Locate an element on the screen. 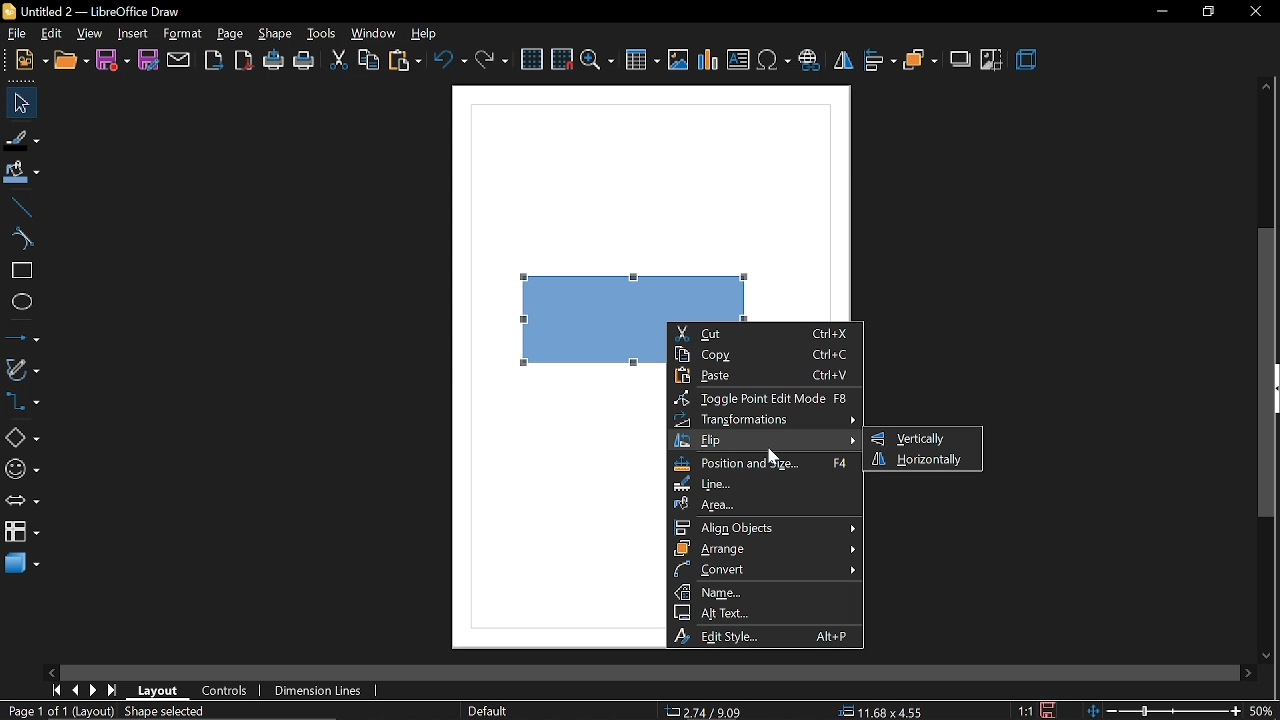  undo is located at coordinates (449, 60).